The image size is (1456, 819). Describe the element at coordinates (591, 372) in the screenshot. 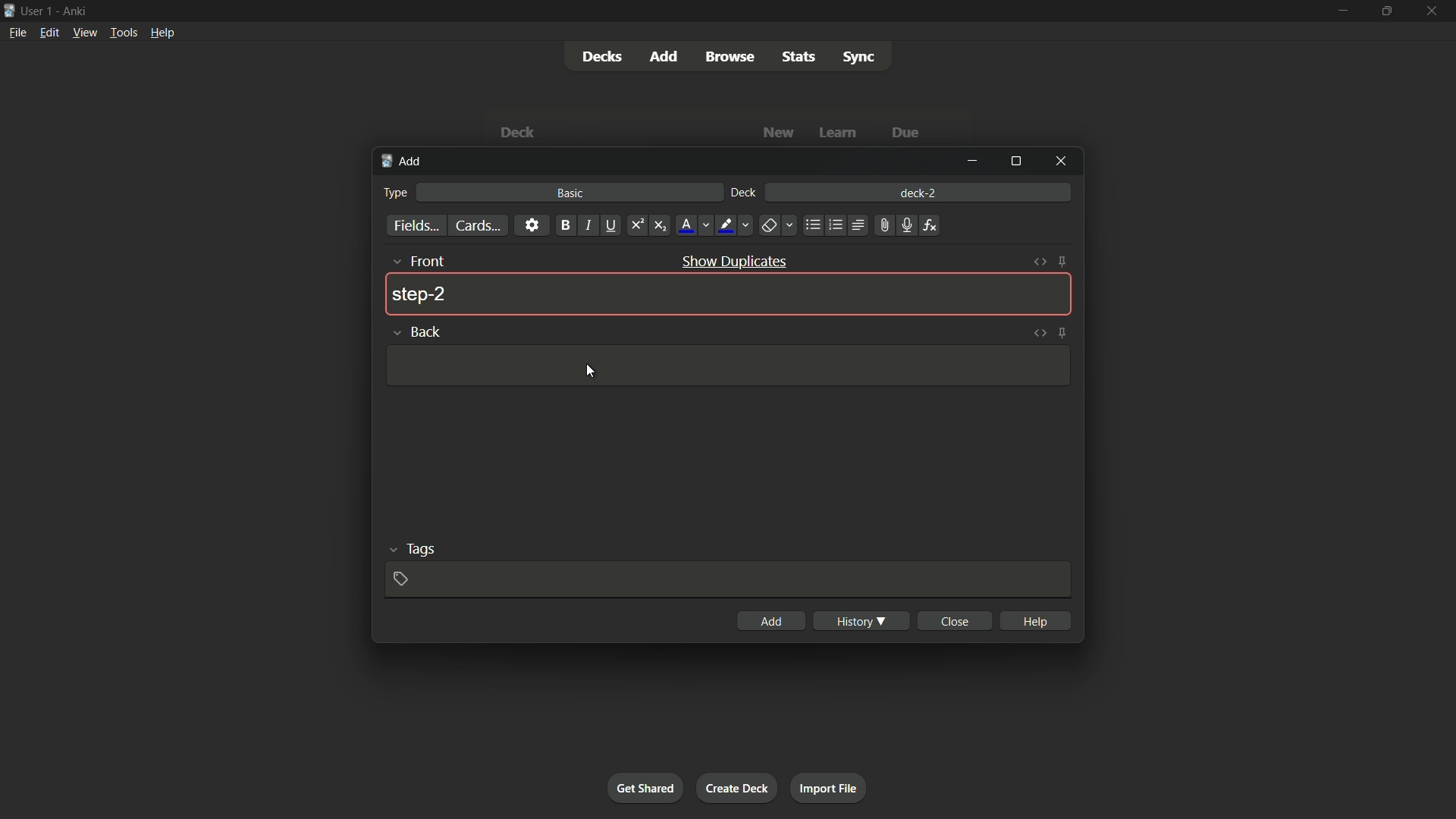

I see `cursor` at that location.